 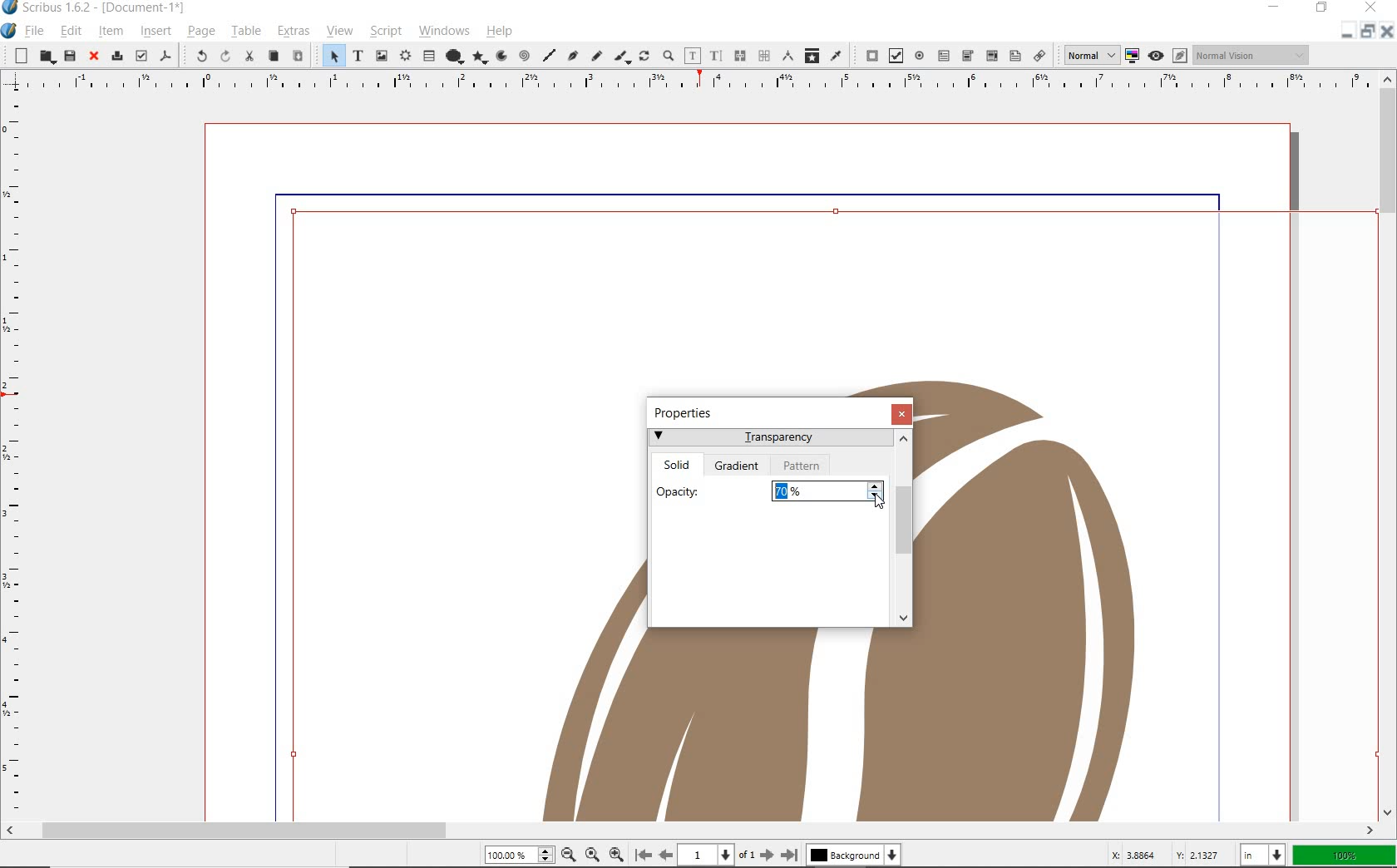 I want to click on edit contents of frame, so click(x=694, y=57).